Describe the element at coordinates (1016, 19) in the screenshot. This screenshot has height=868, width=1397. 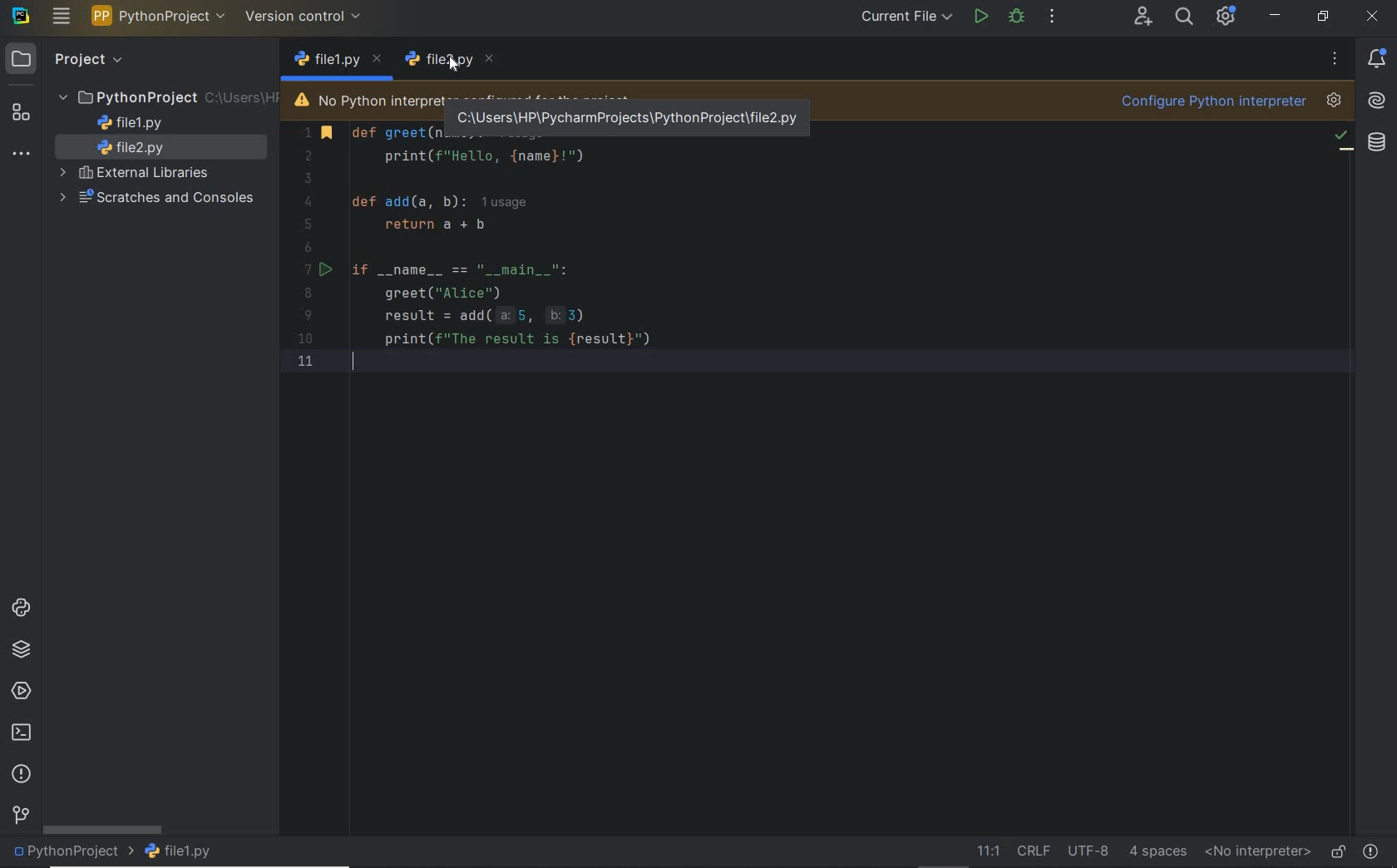
I see `debug` at that location.